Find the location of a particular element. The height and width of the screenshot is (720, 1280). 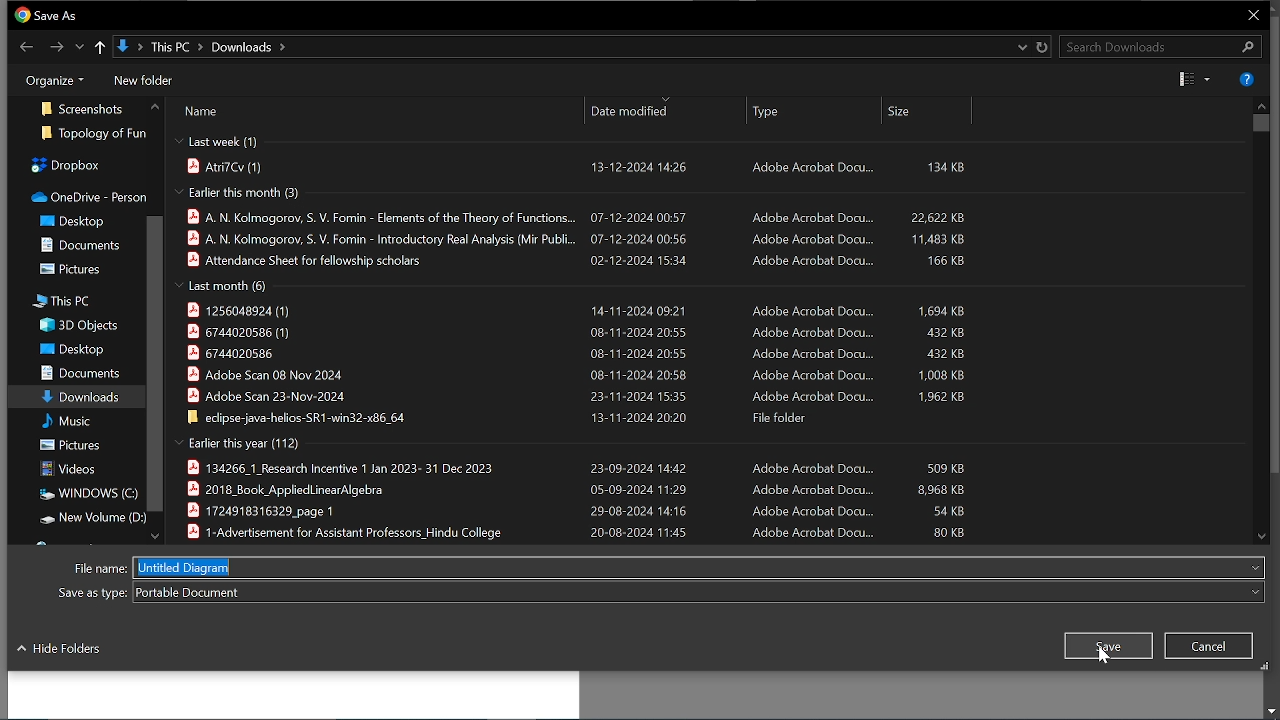

type is located at coordinates (812, 111).